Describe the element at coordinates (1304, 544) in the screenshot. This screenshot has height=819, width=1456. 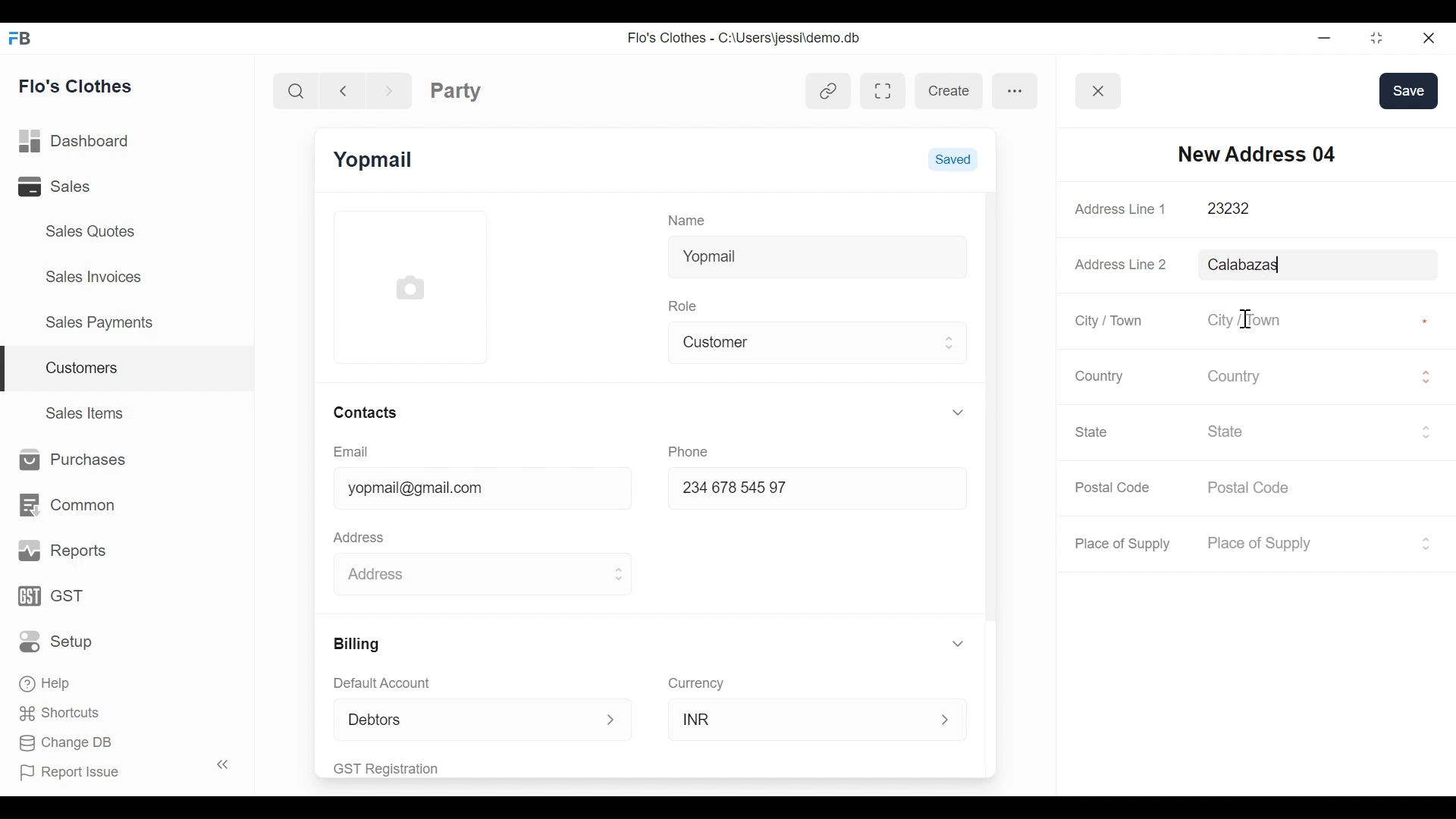
I see `Place of Supply` at that location.